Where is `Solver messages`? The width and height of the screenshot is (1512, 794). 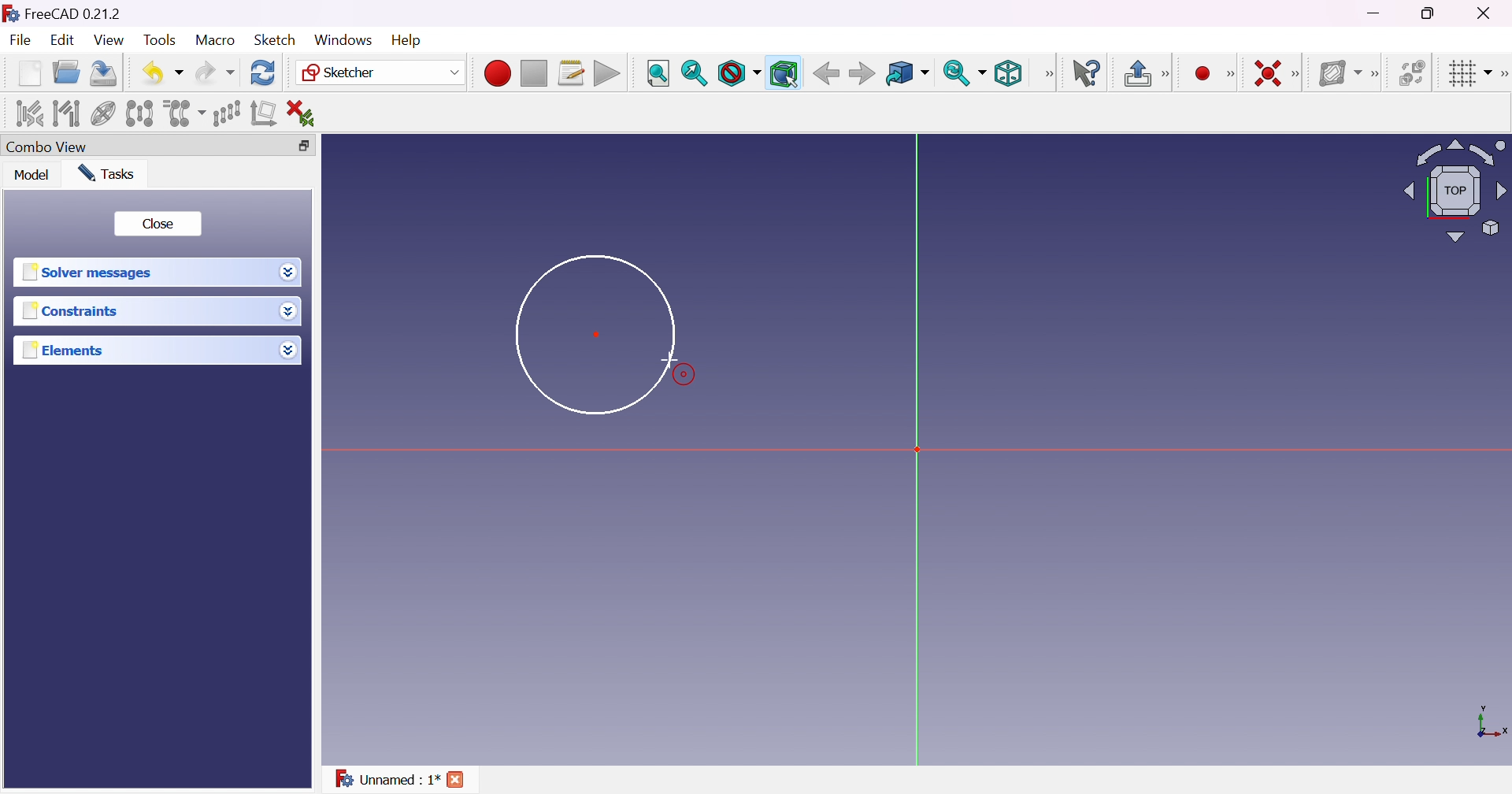
Solver messages is located at coordinates (90, 270).